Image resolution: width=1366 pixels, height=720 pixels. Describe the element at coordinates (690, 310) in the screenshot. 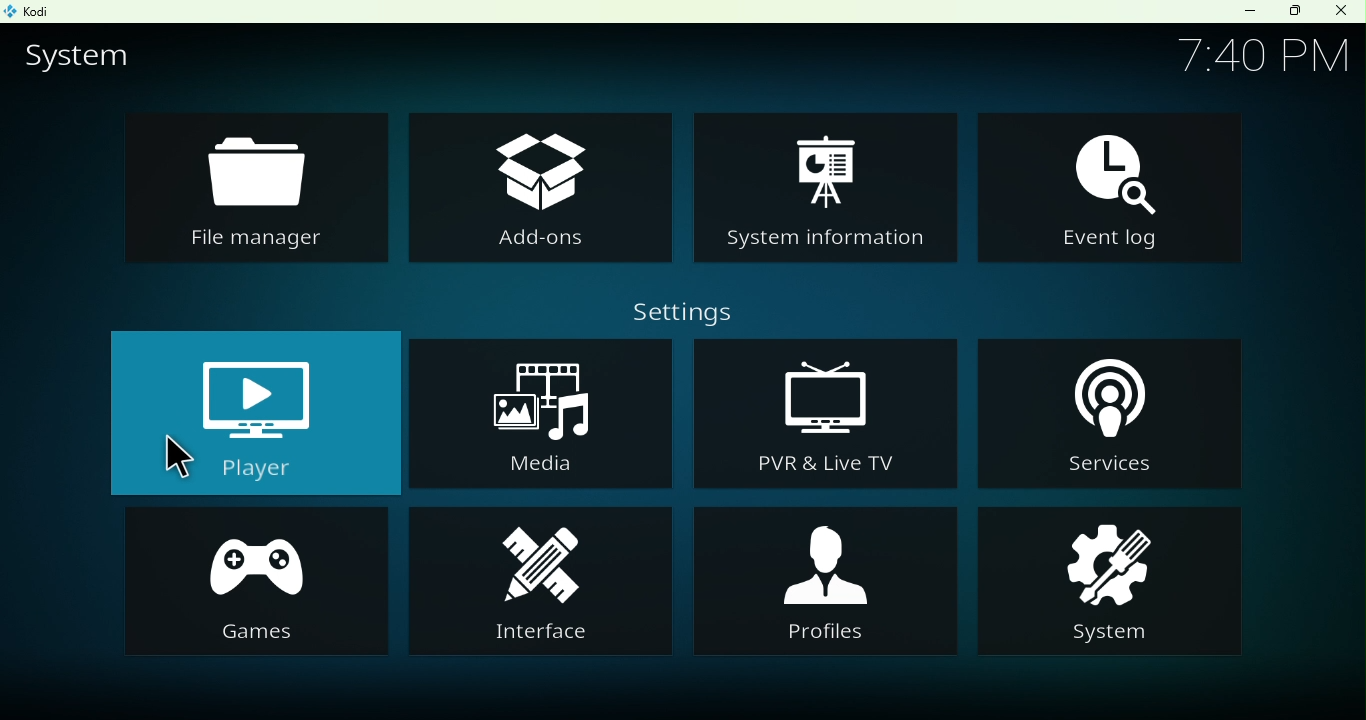

I see `Settings` at that location.